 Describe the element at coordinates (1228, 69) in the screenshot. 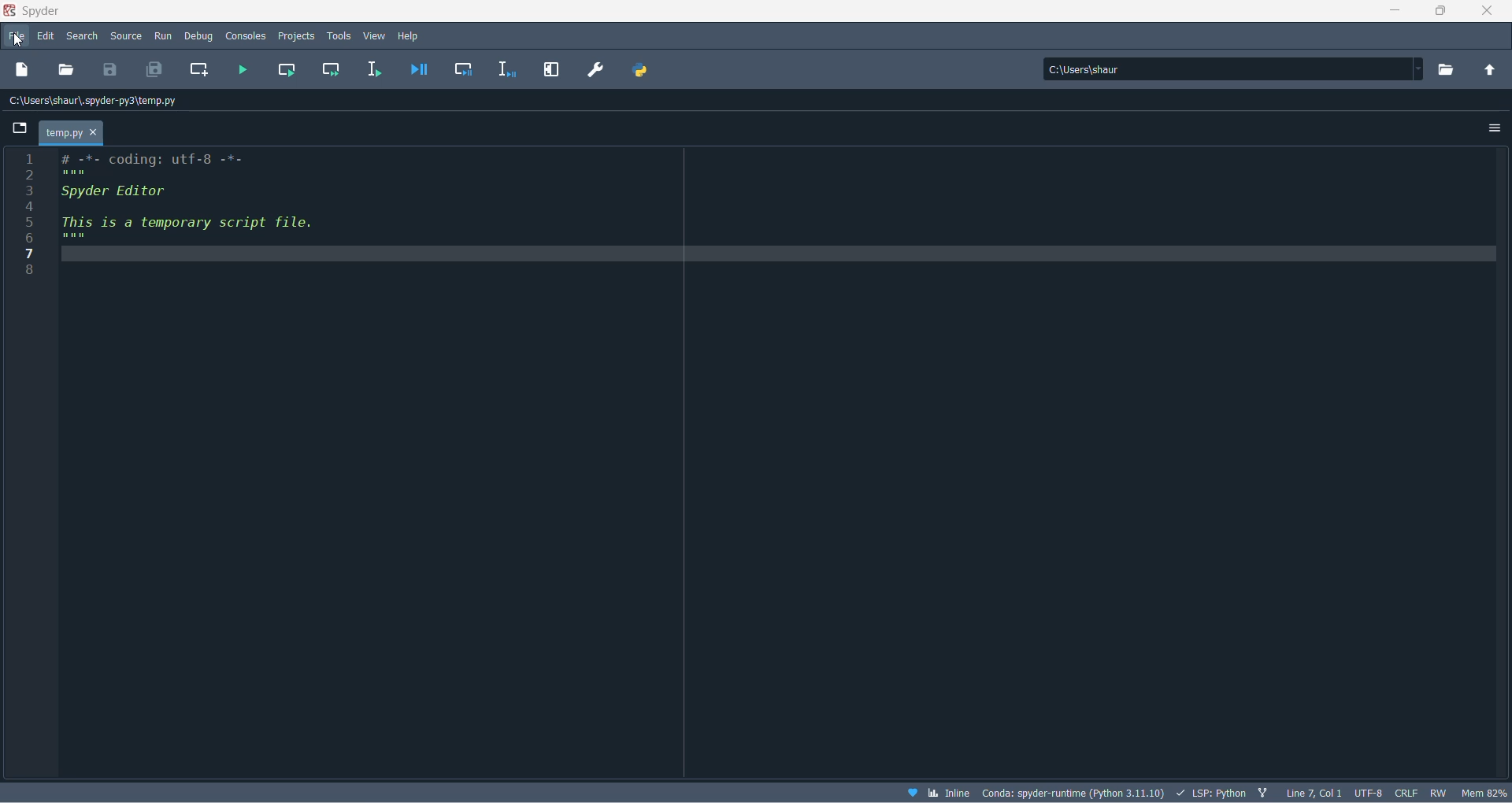

I see `path` at that location.